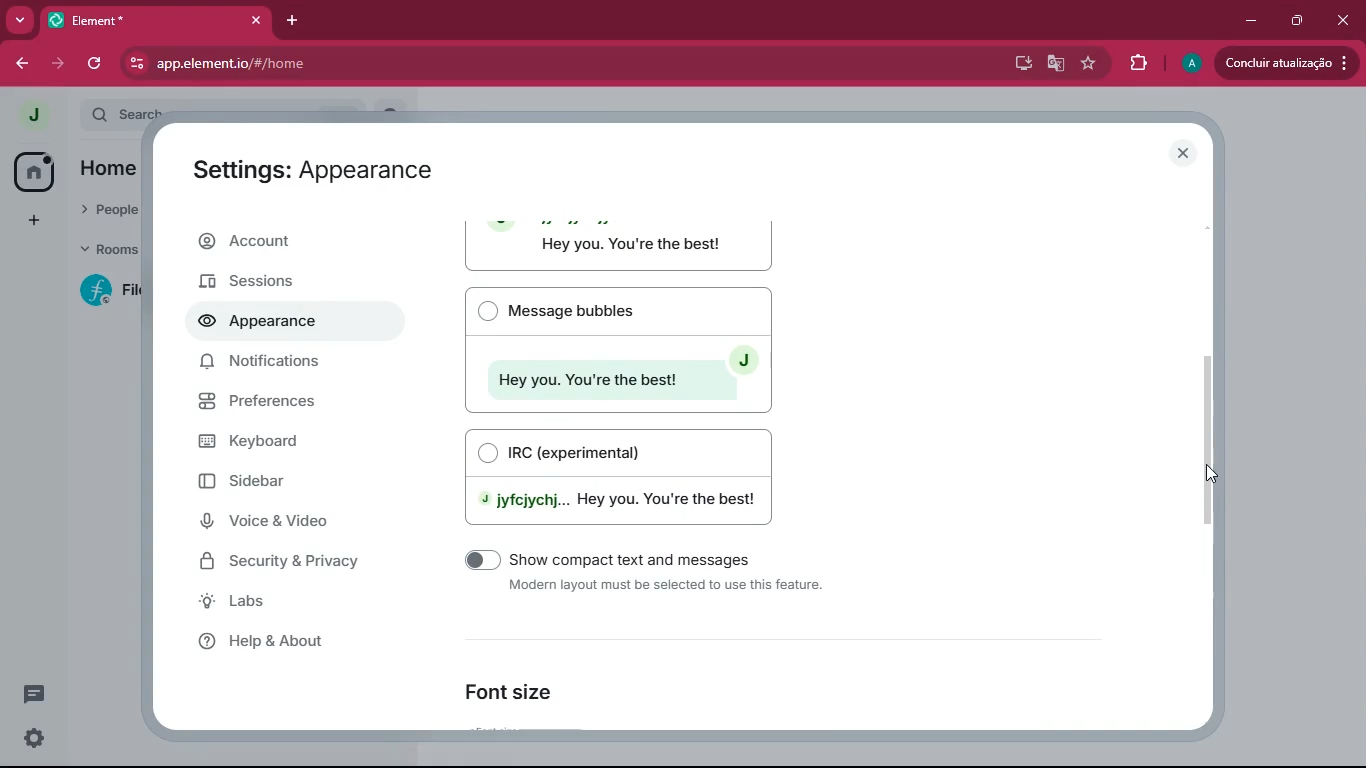 The width and height of the screenshot is (1366, 768). I want to click on settings, so click(34, 739).